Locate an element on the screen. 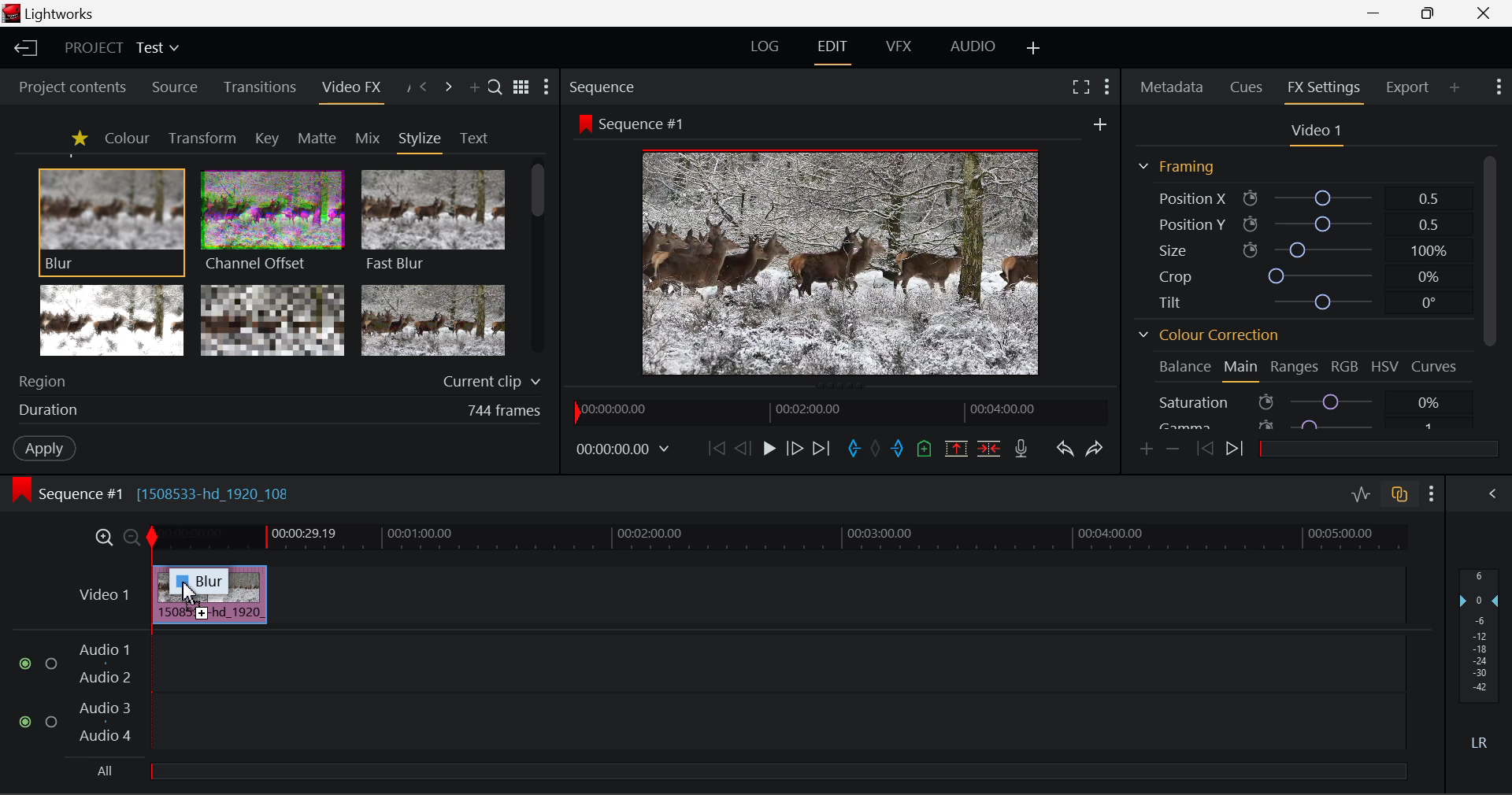 The height and width of the screenshot is (795, 1512). Stylize Panel Open is located at coordinates (421, 138).